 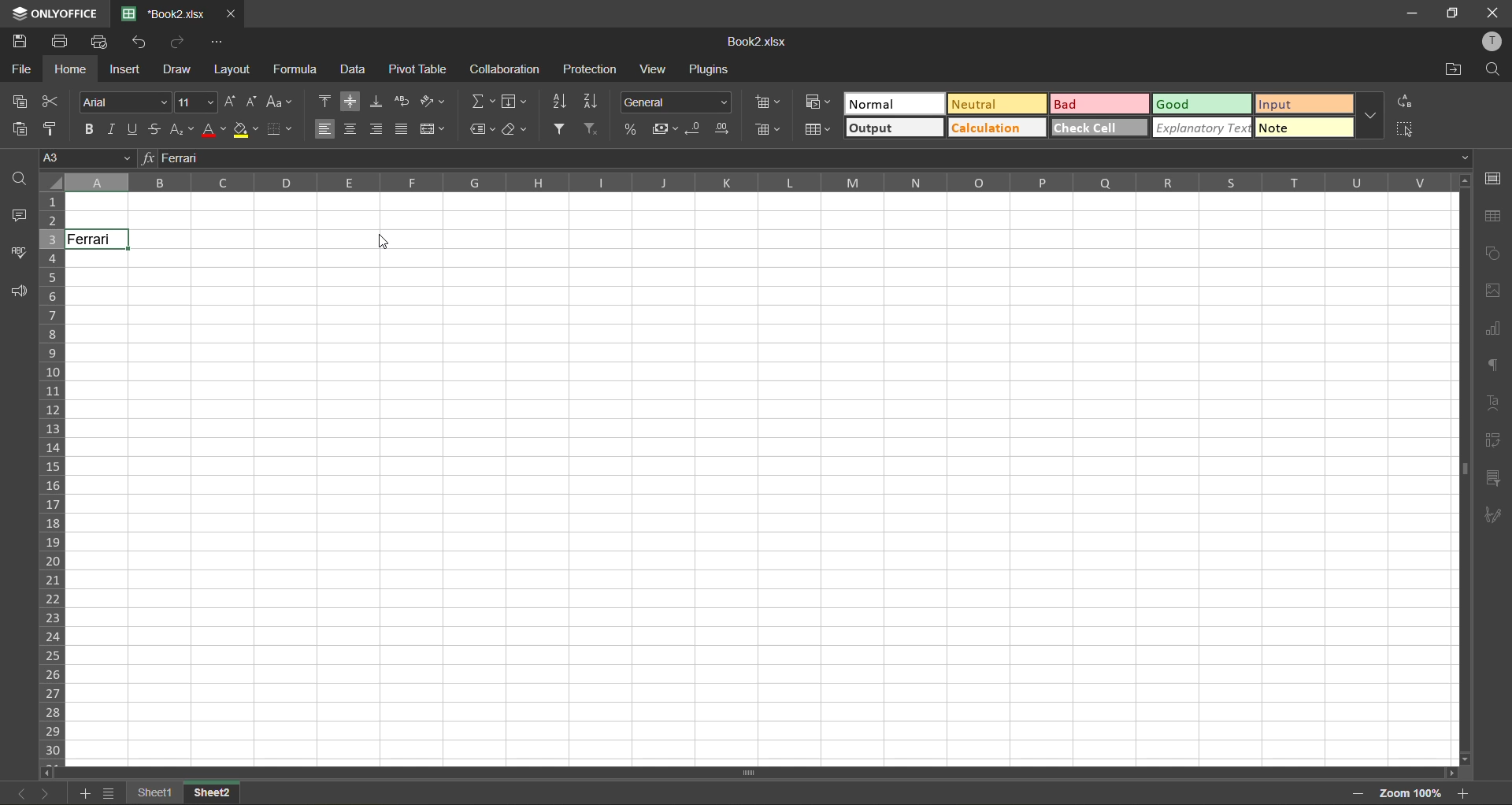 I want to click on output, so click(x=892, y=128).